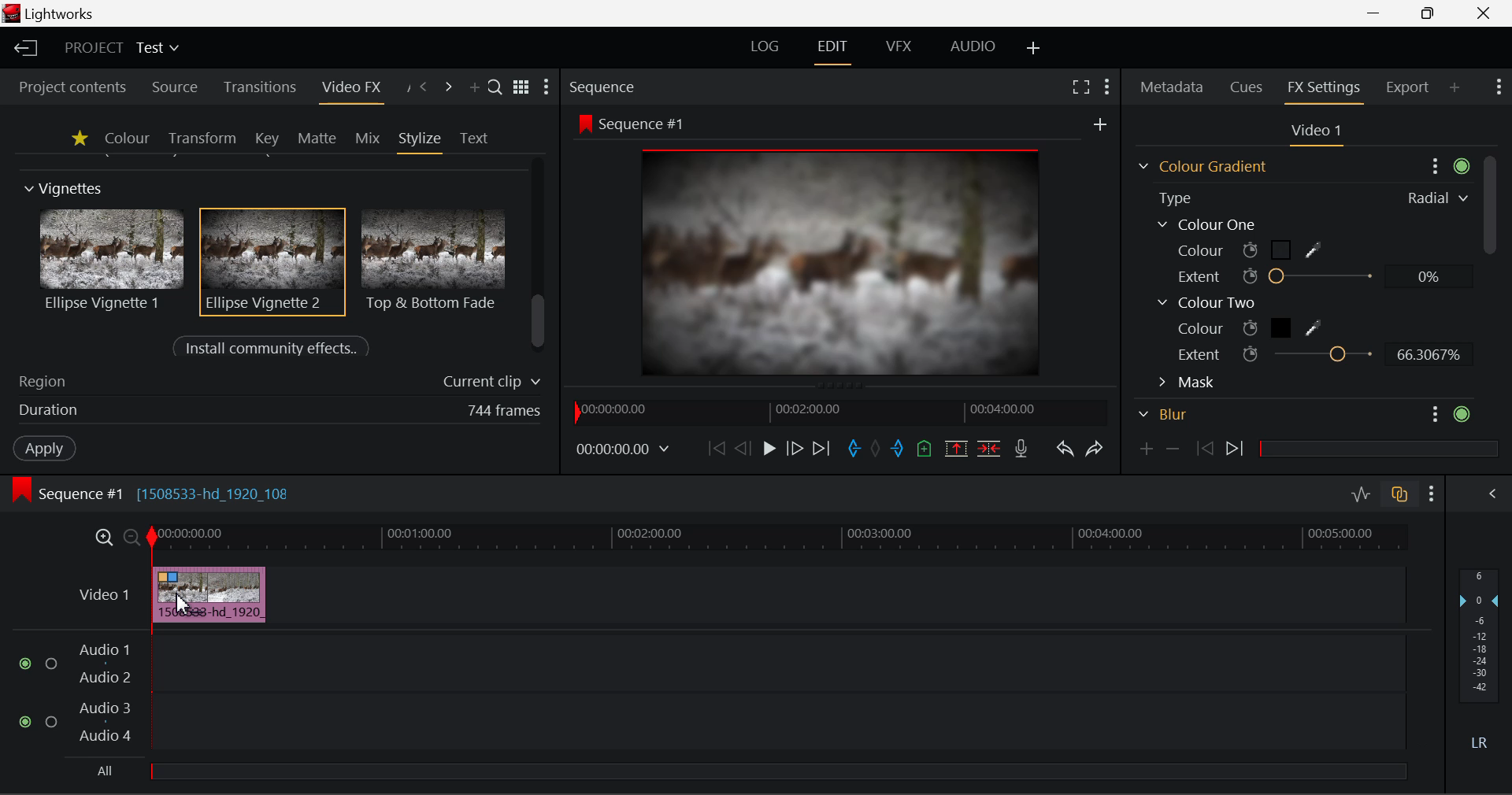 The width and height of the screenshot is (1512, 795). Describe the element at coordinates (991, 444) in the screenshot. I see `Delete/Cut` at that location.